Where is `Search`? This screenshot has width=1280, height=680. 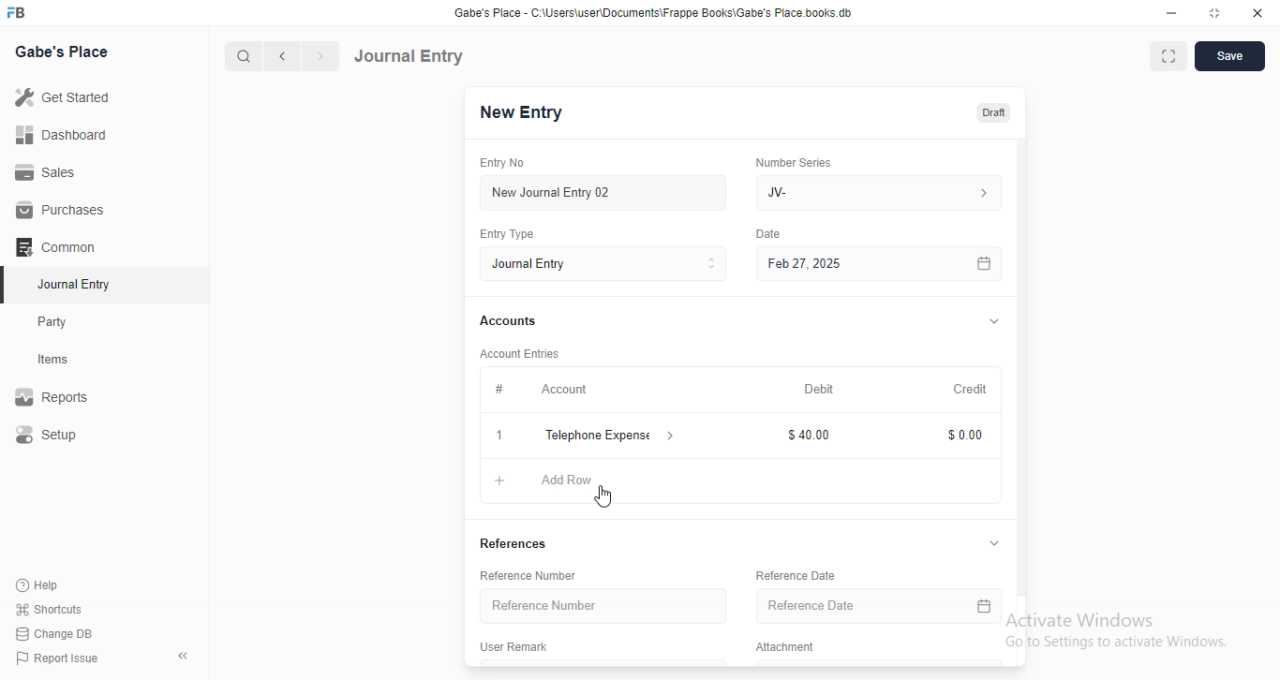 Search is located at coordinates (239, 56).